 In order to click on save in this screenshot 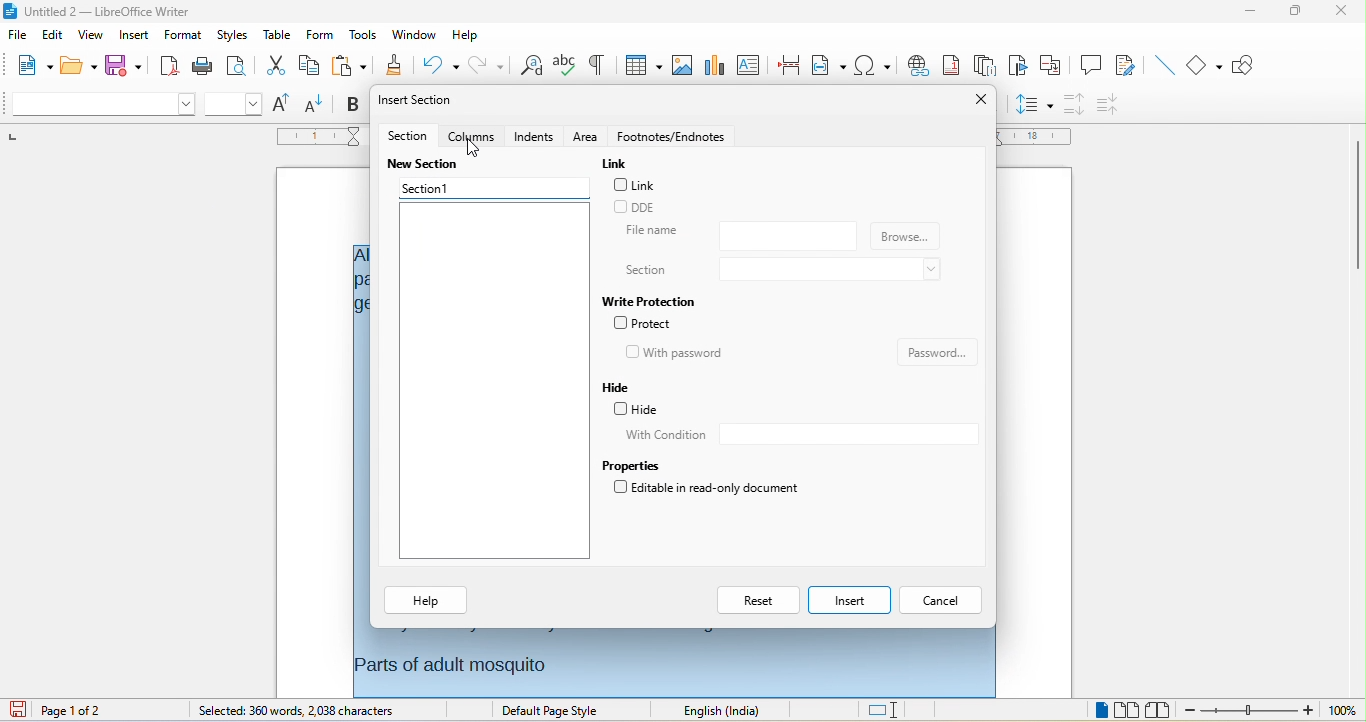, I will do `click(123, 64)`.